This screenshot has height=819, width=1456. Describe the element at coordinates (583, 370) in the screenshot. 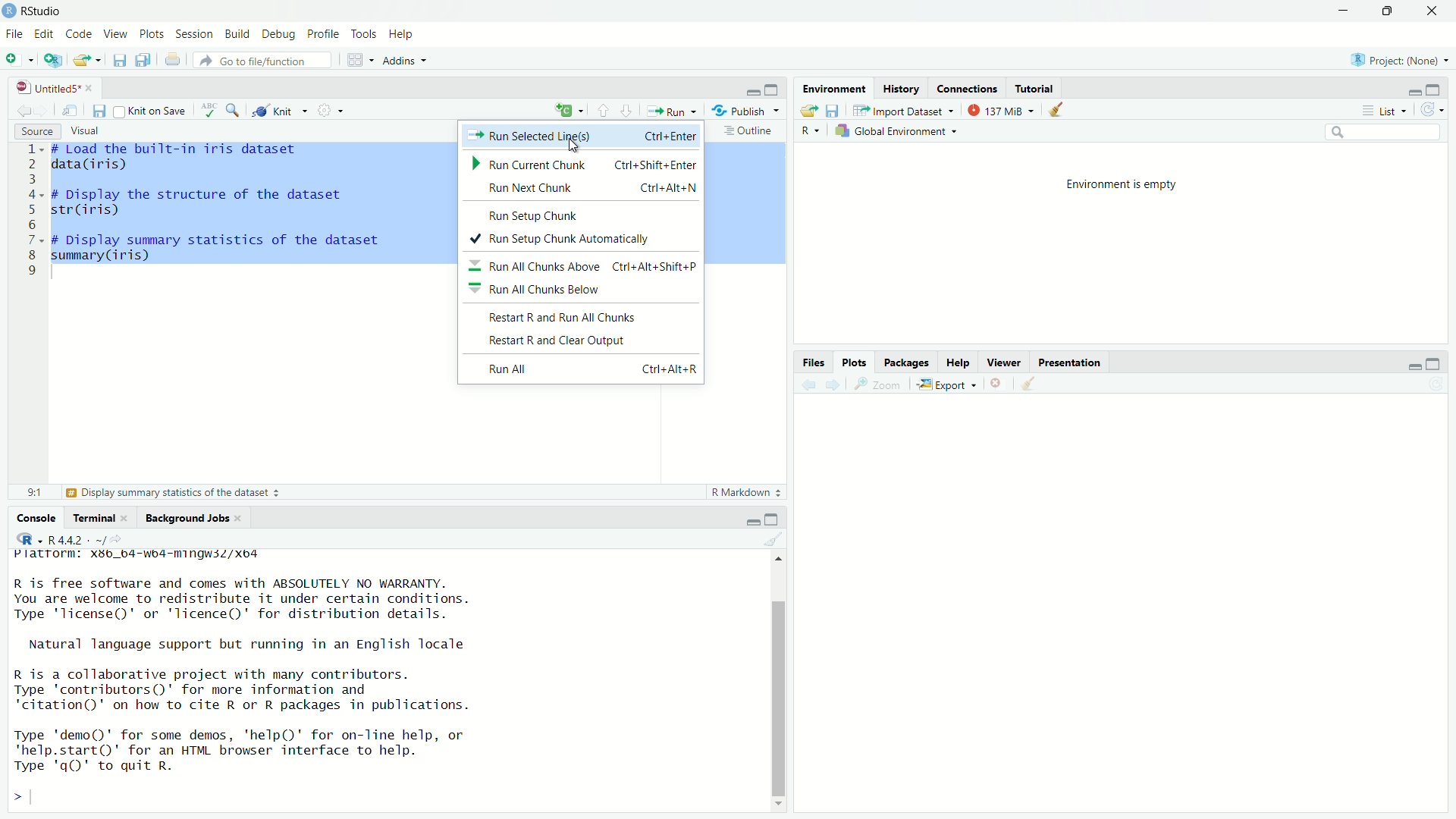

I see `Run All Ctrl+Alt+R` at that location.